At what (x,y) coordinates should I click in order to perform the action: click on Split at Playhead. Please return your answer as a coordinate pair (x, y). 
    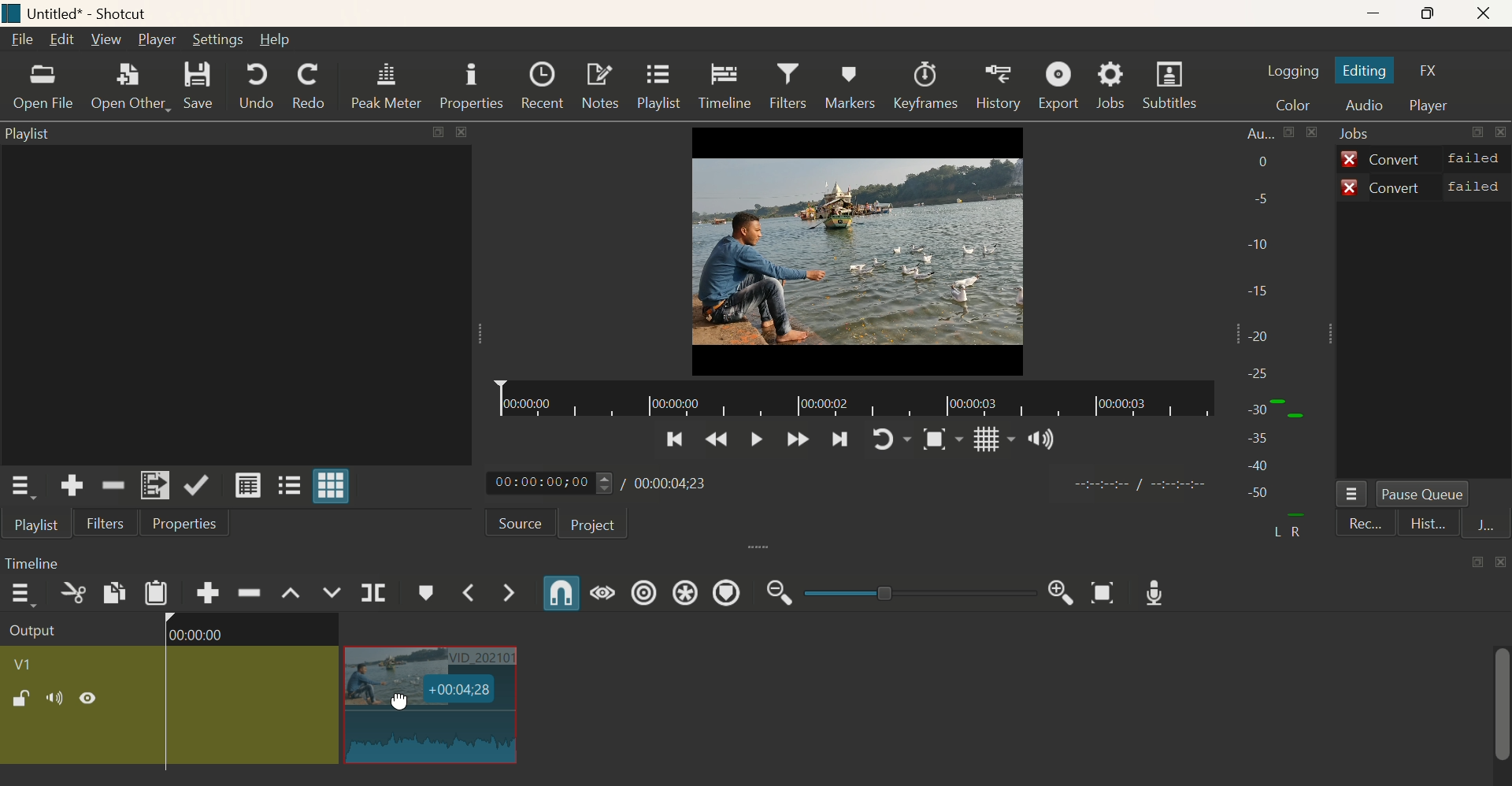
    Looking at the image, I should click on (372, 595).